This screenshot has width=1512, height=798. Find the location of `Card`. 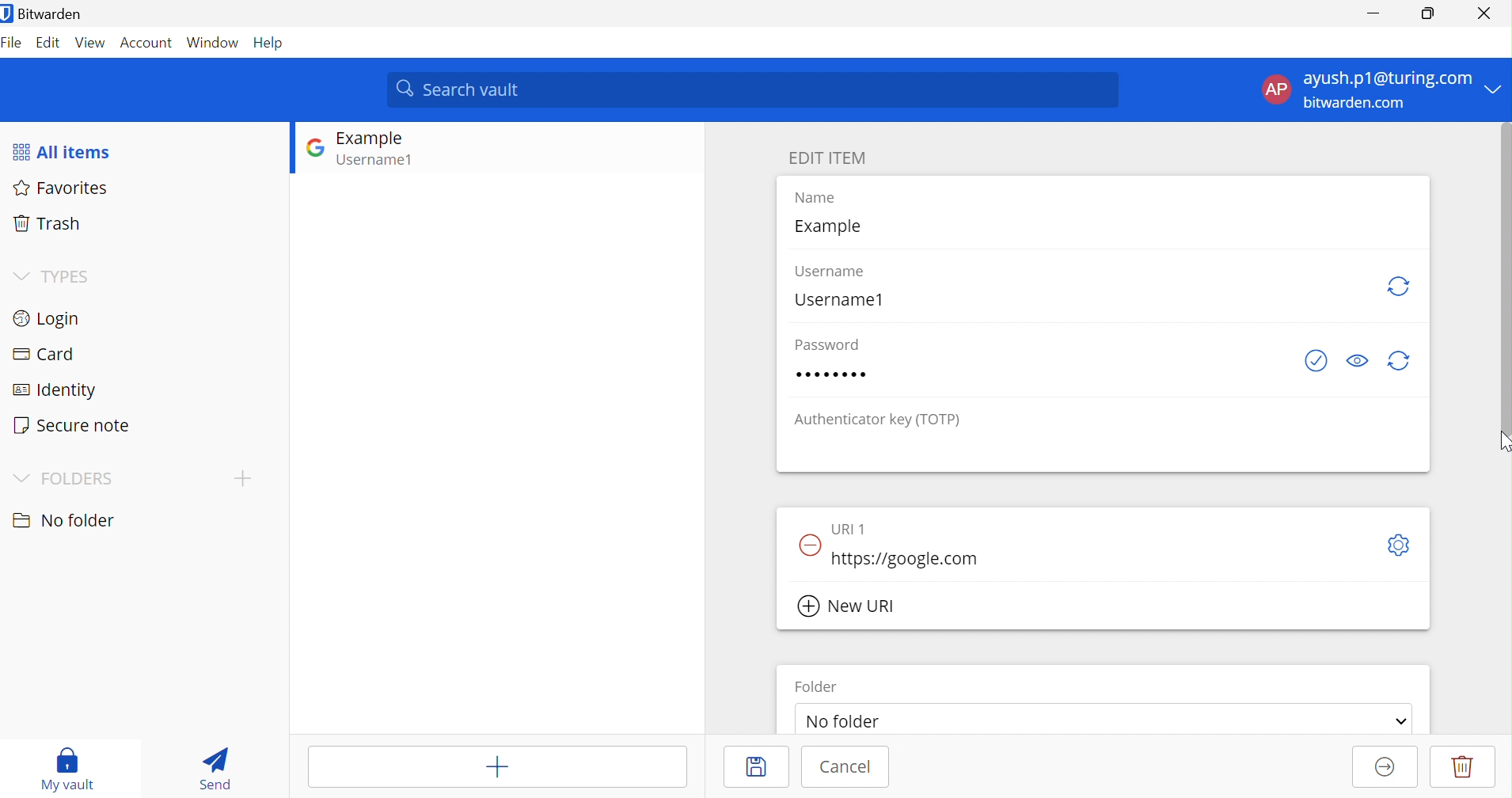

Card is located at coordinates (44, 352).